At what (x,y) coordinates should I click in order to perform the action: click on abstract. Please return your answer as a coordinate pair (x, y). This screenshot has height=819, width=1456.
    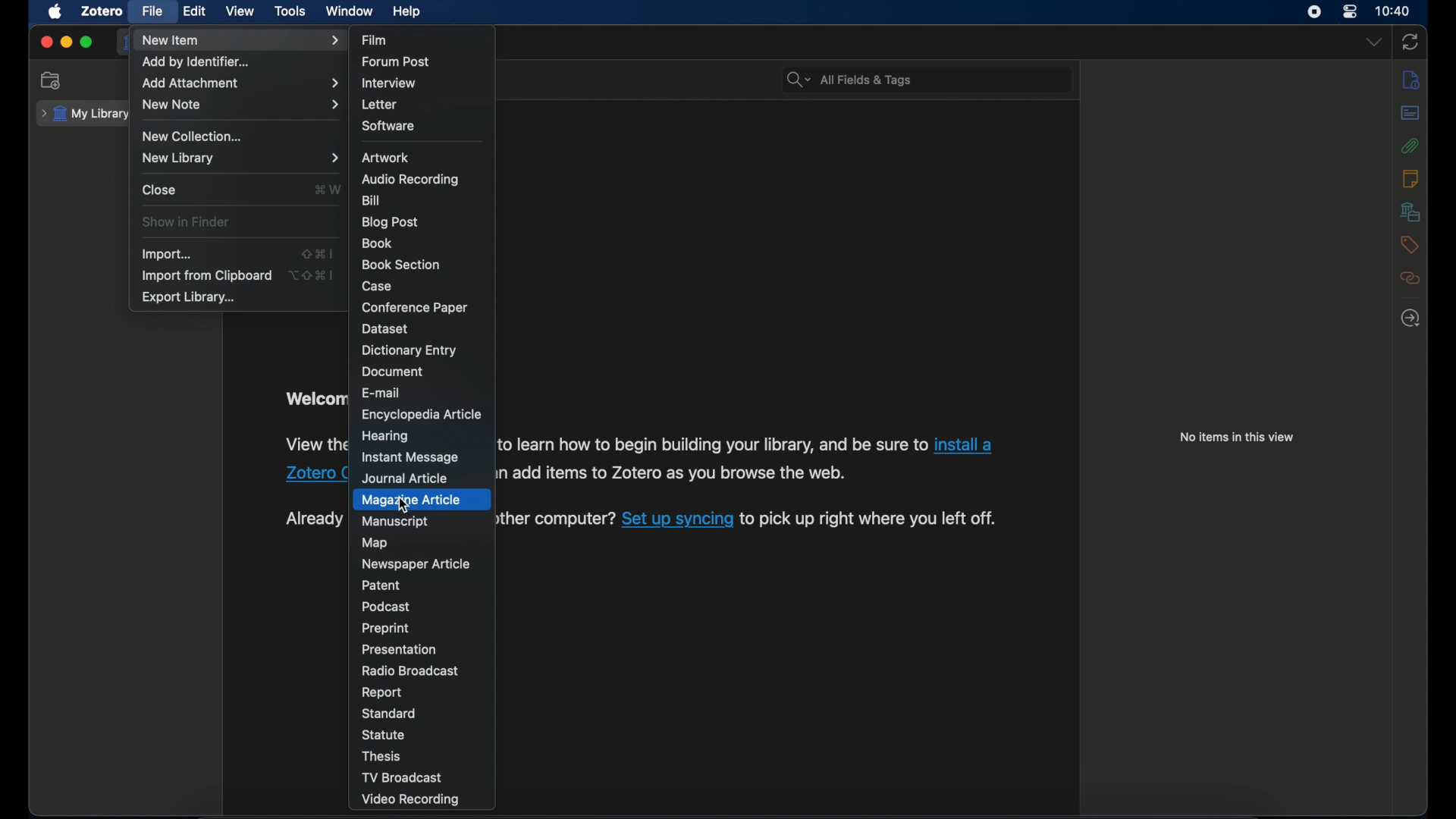
    Looking at the image, I should click on (1410, 113).